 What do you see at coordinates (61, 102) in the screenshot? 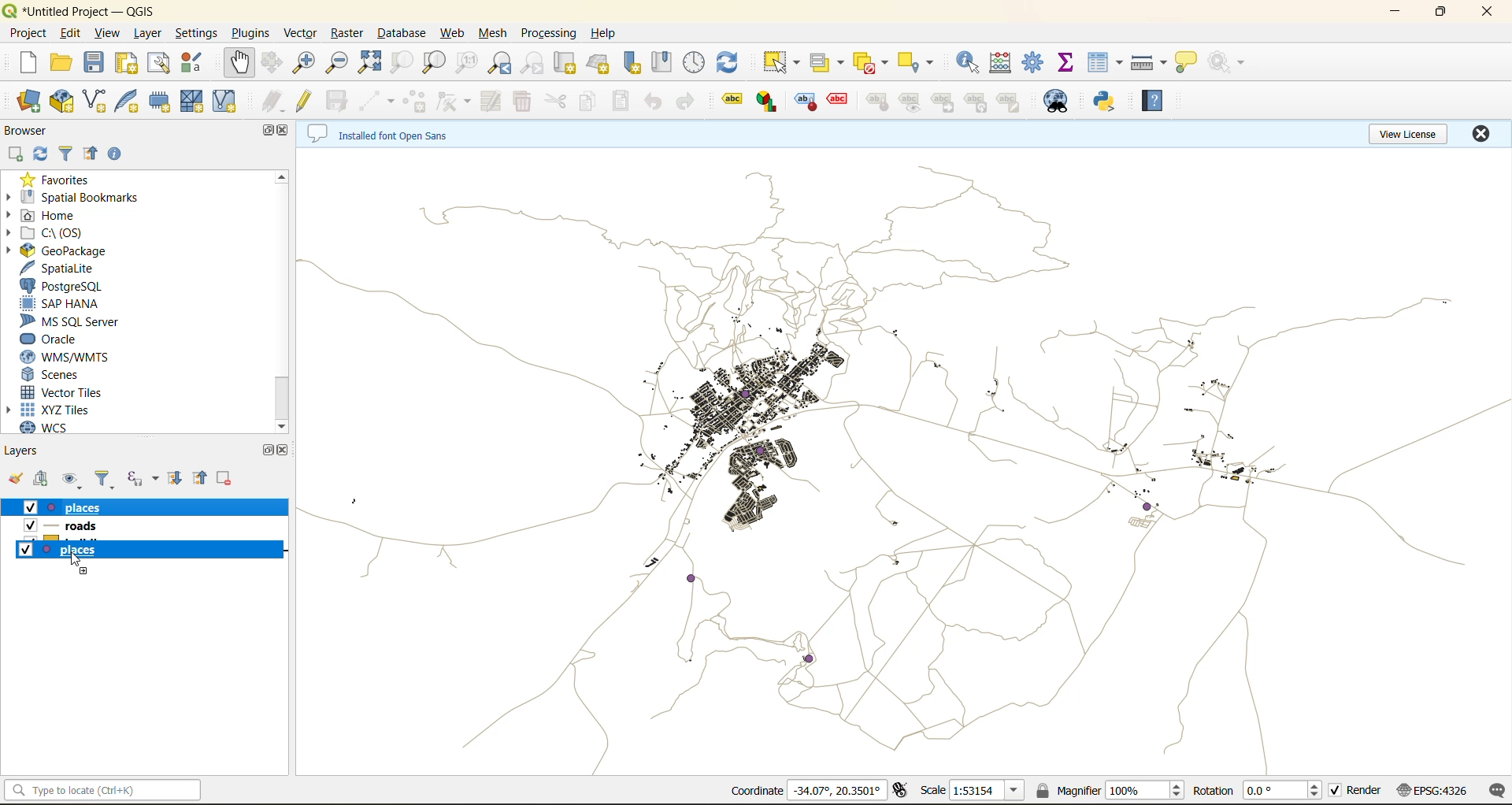
I see `new geopackage` at bounding box center [61, 102].